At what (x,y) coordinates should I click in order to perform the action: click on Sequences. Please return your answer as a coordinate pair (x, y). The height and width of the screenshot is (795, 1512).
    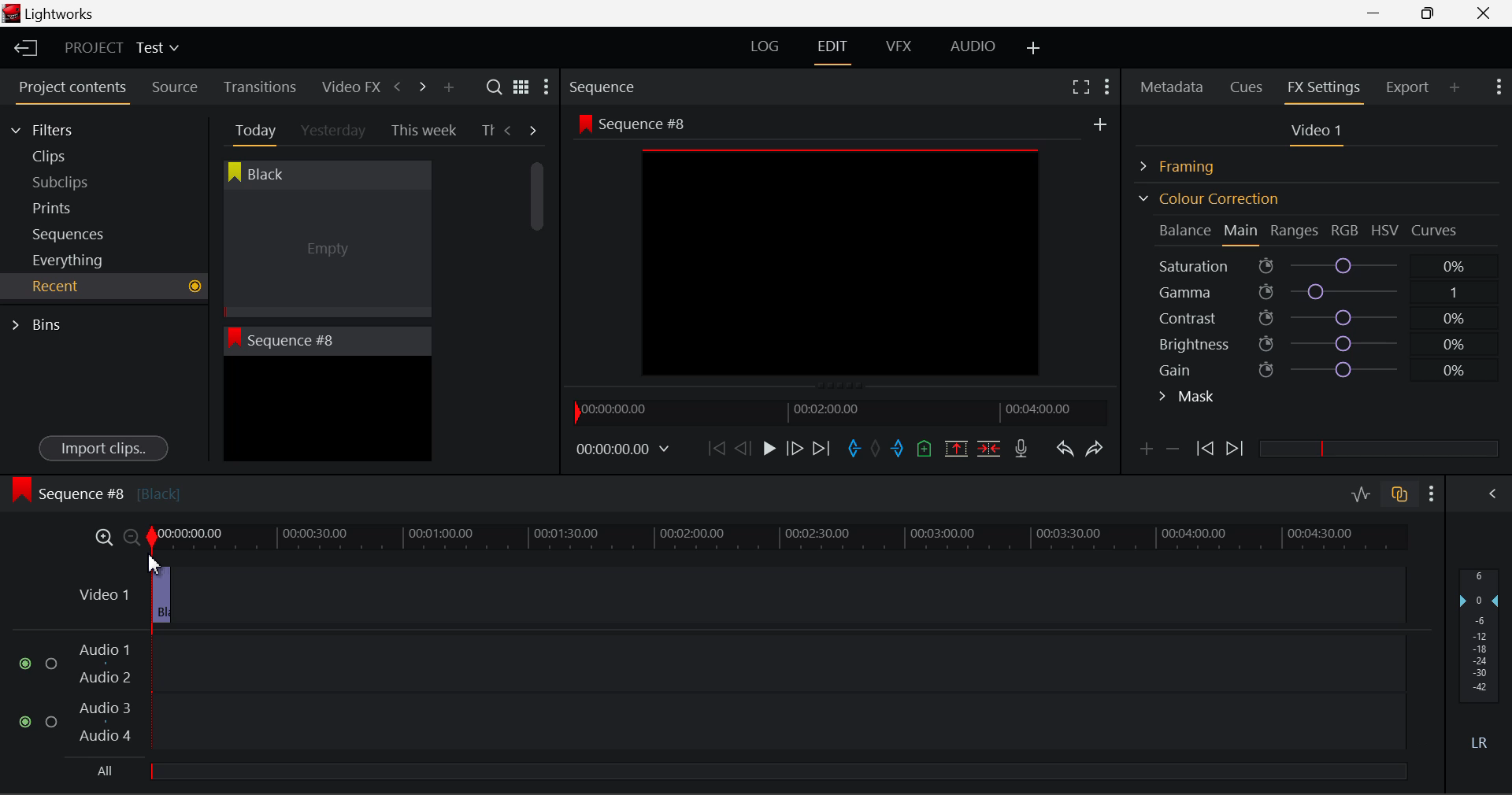
    Looking at the image, I should click on (72, 232).